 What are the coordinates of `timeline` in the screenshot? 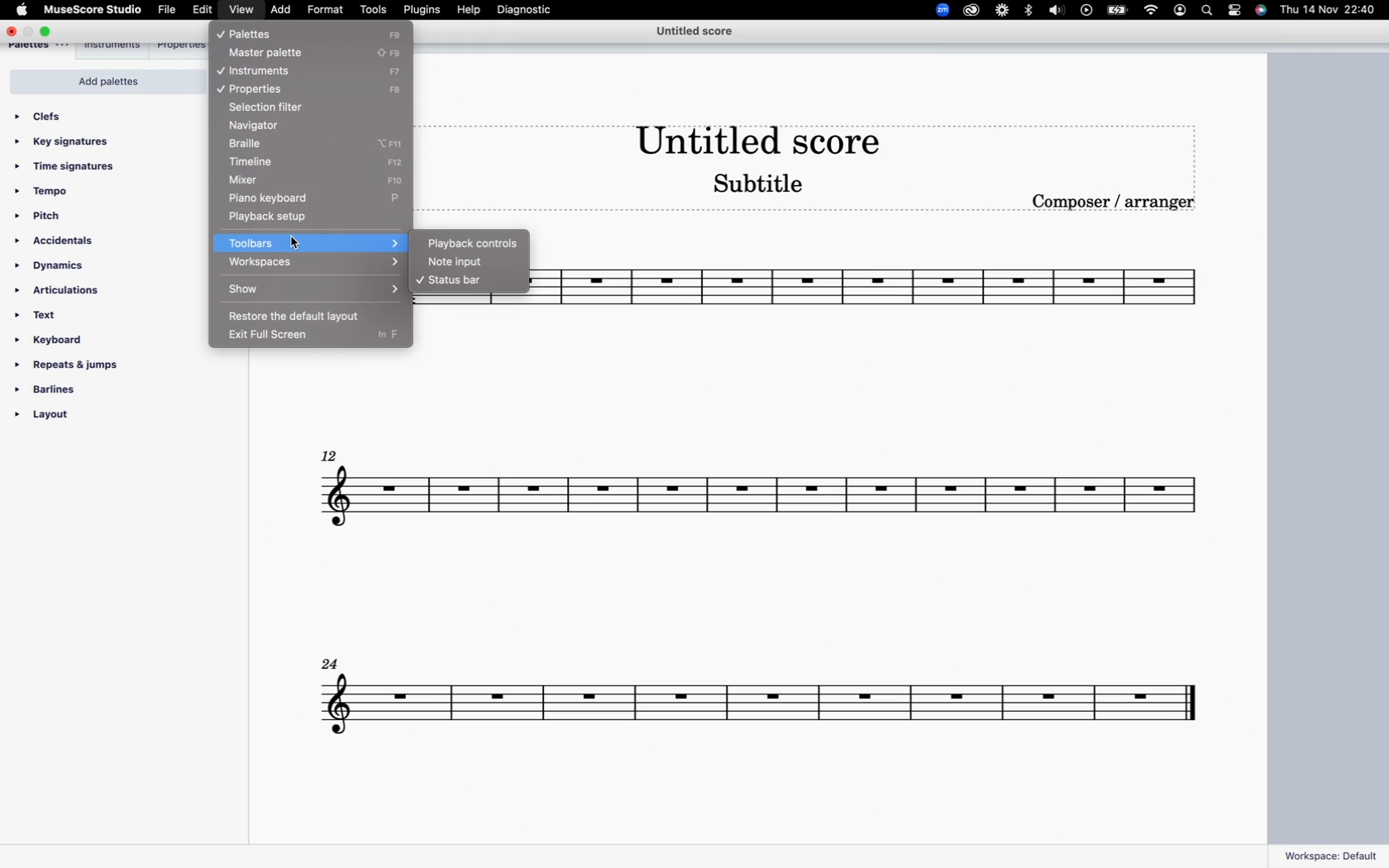 It's located at (282, 160).